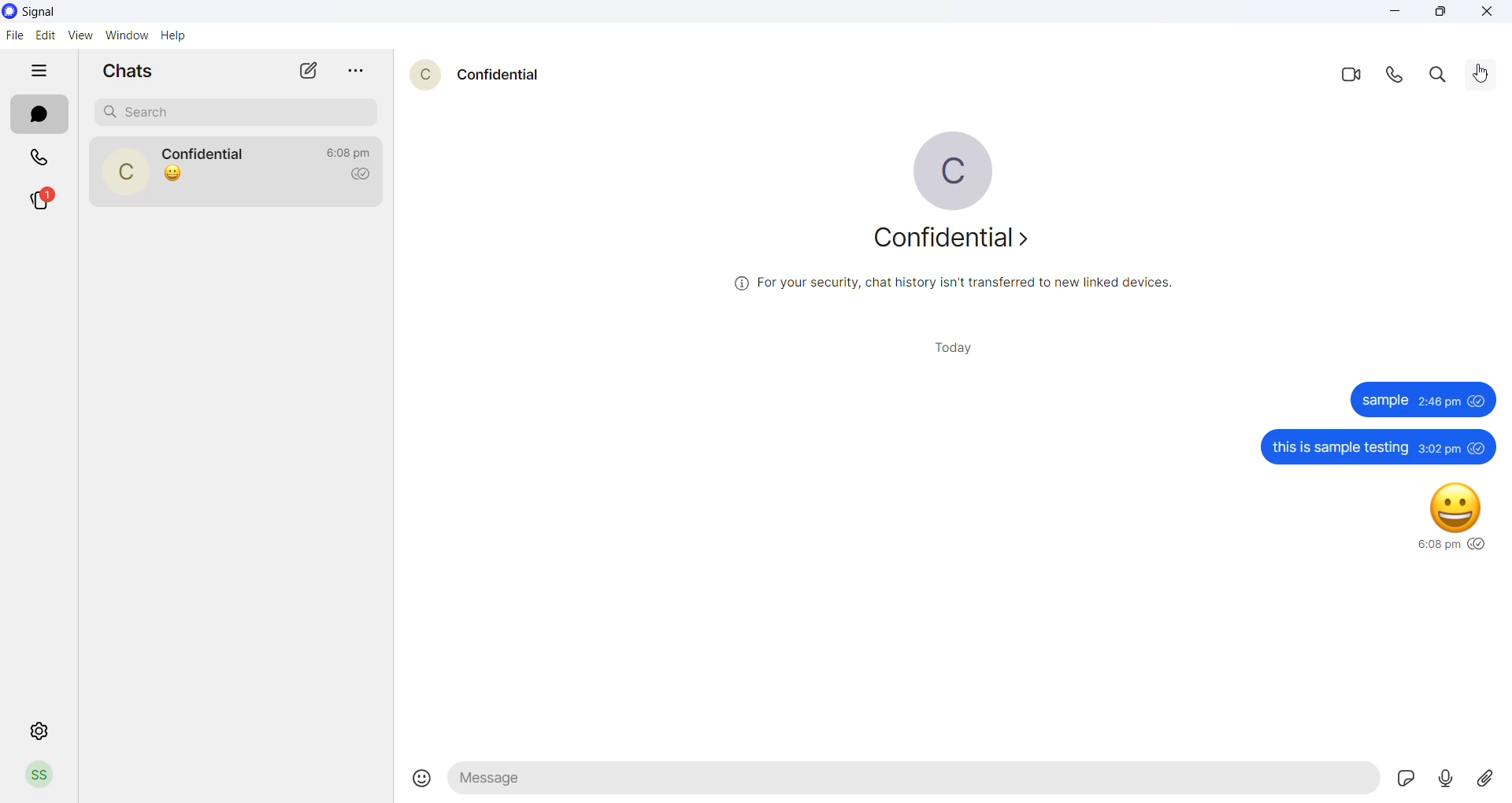  Describe the element at coordinates (350, 152) in the screenshot. I see `last message time` at that location.